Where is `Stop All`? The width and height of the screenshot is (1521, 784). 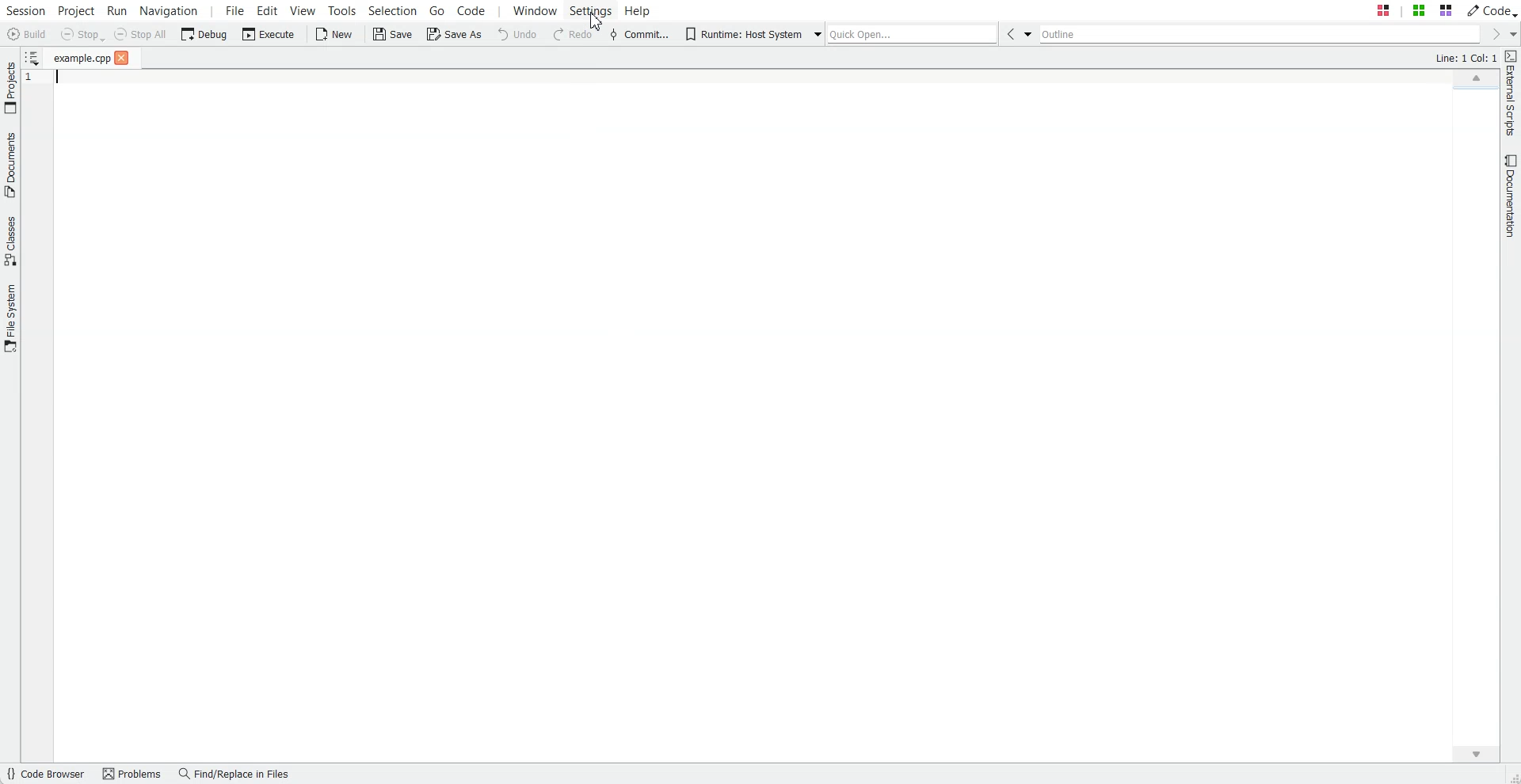 Stop All is located at coordinates (141, 34).